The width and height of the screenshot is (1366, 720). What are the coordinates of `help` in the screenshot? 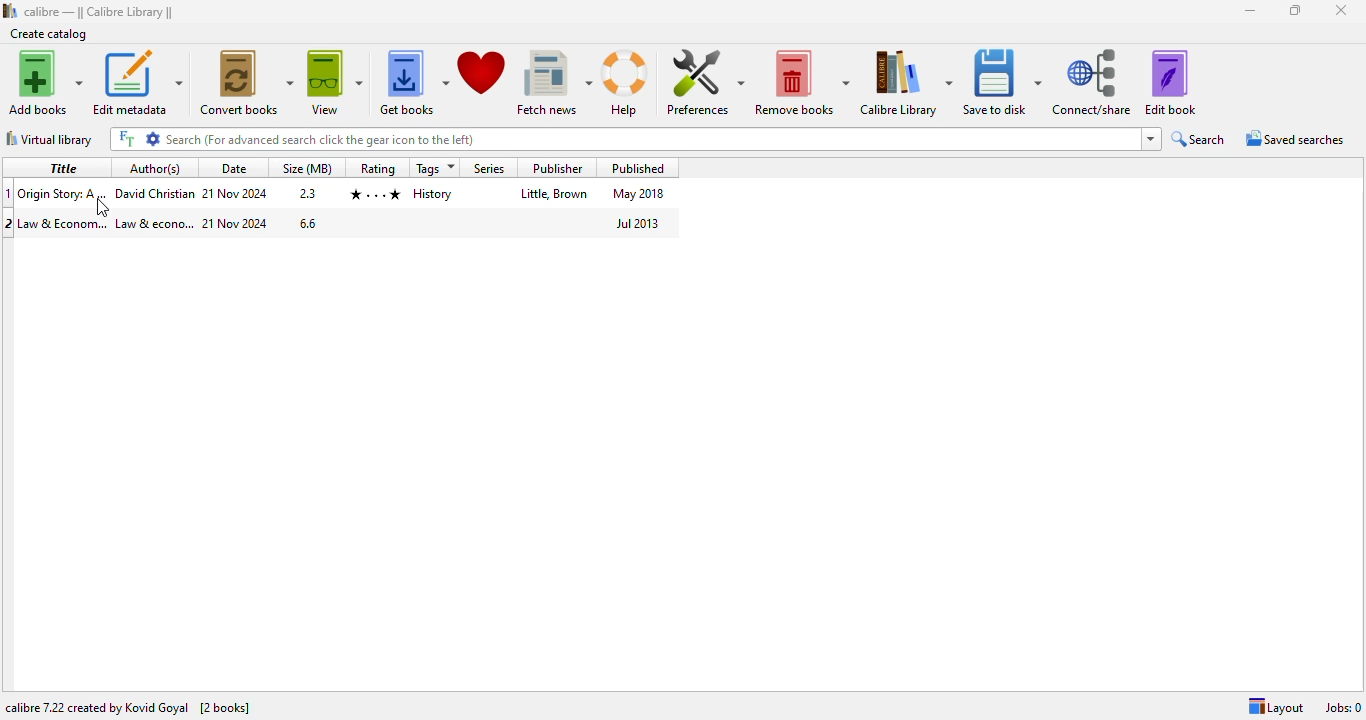 It's located at (628, 84).